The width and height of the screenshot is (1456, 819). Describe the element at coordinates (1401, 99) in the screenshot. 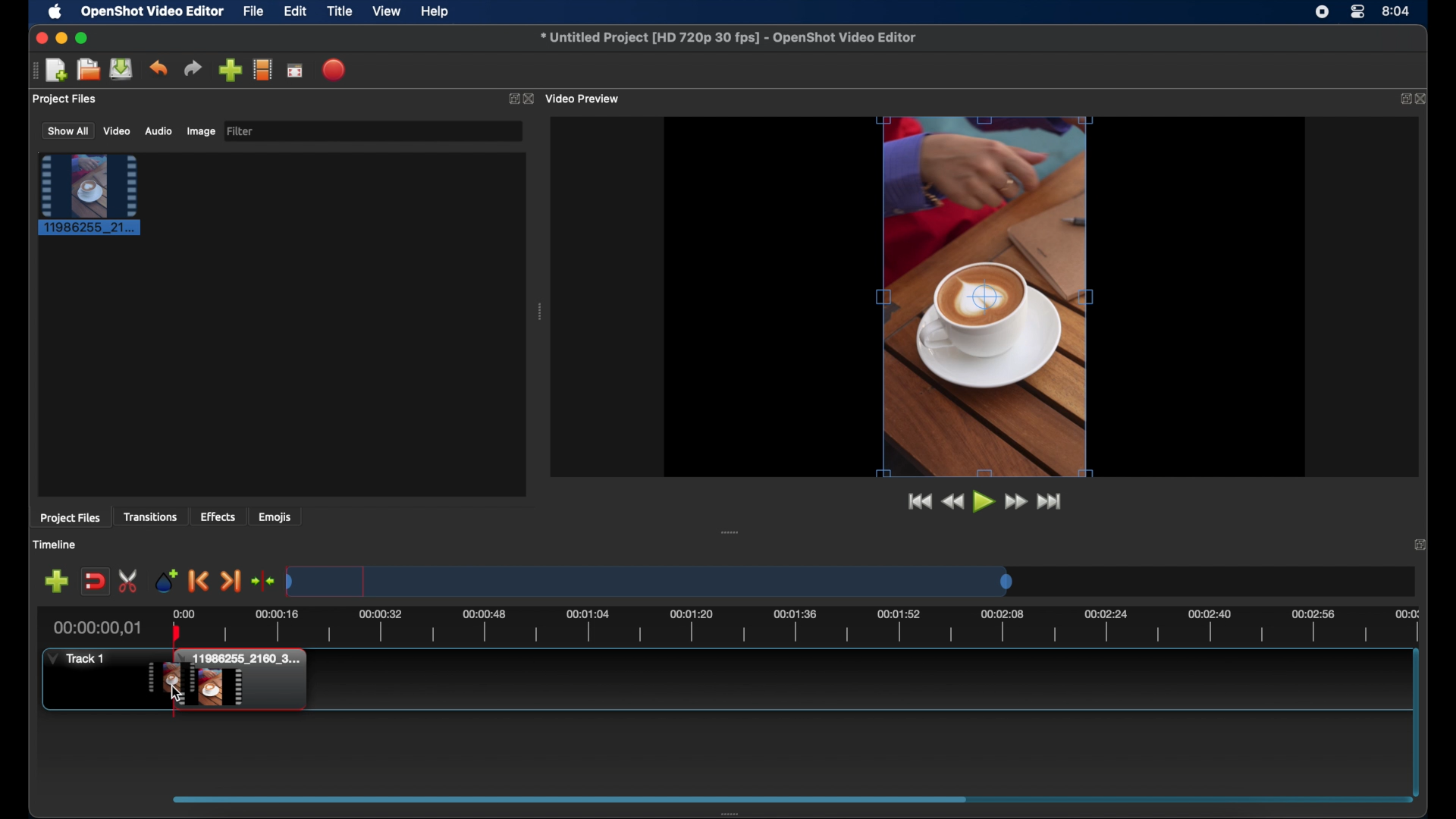

I see `expand` at that location.